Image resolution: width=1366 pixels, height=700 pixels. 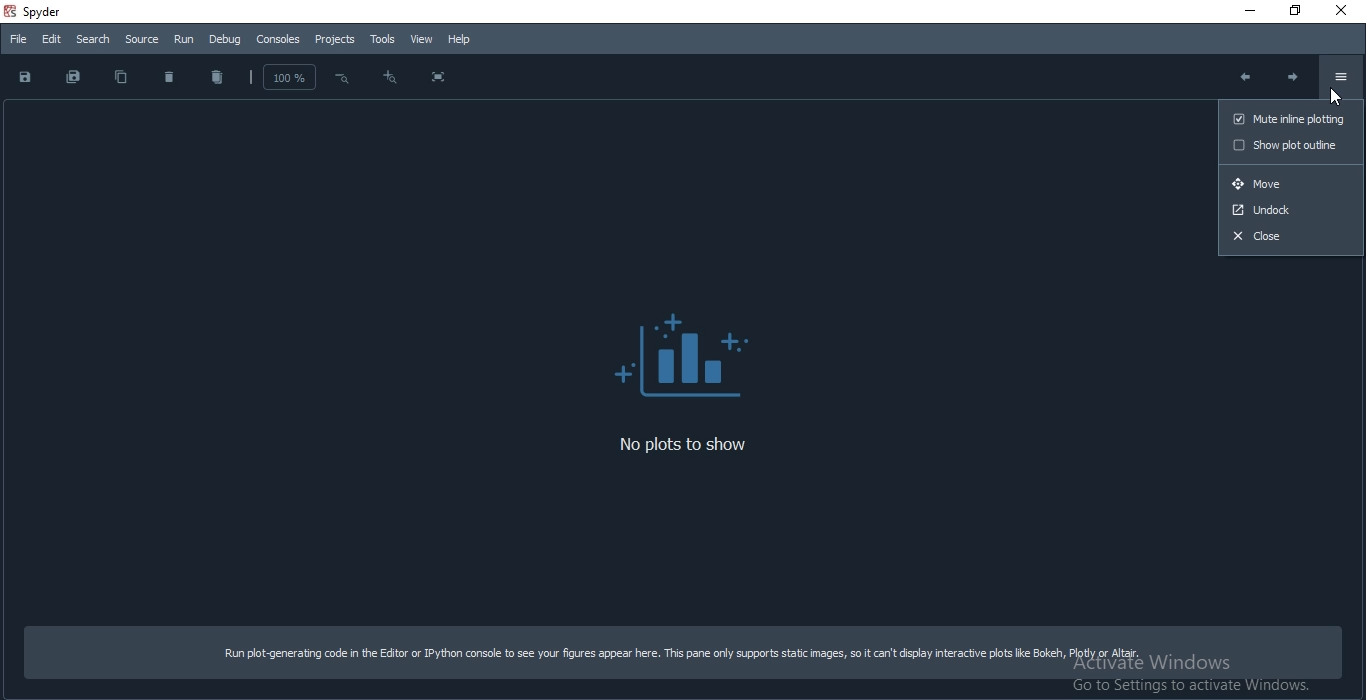 What do you see at coordinates (694, 350) in the screenshot?
I see `image` at bounding box center [694, 350].